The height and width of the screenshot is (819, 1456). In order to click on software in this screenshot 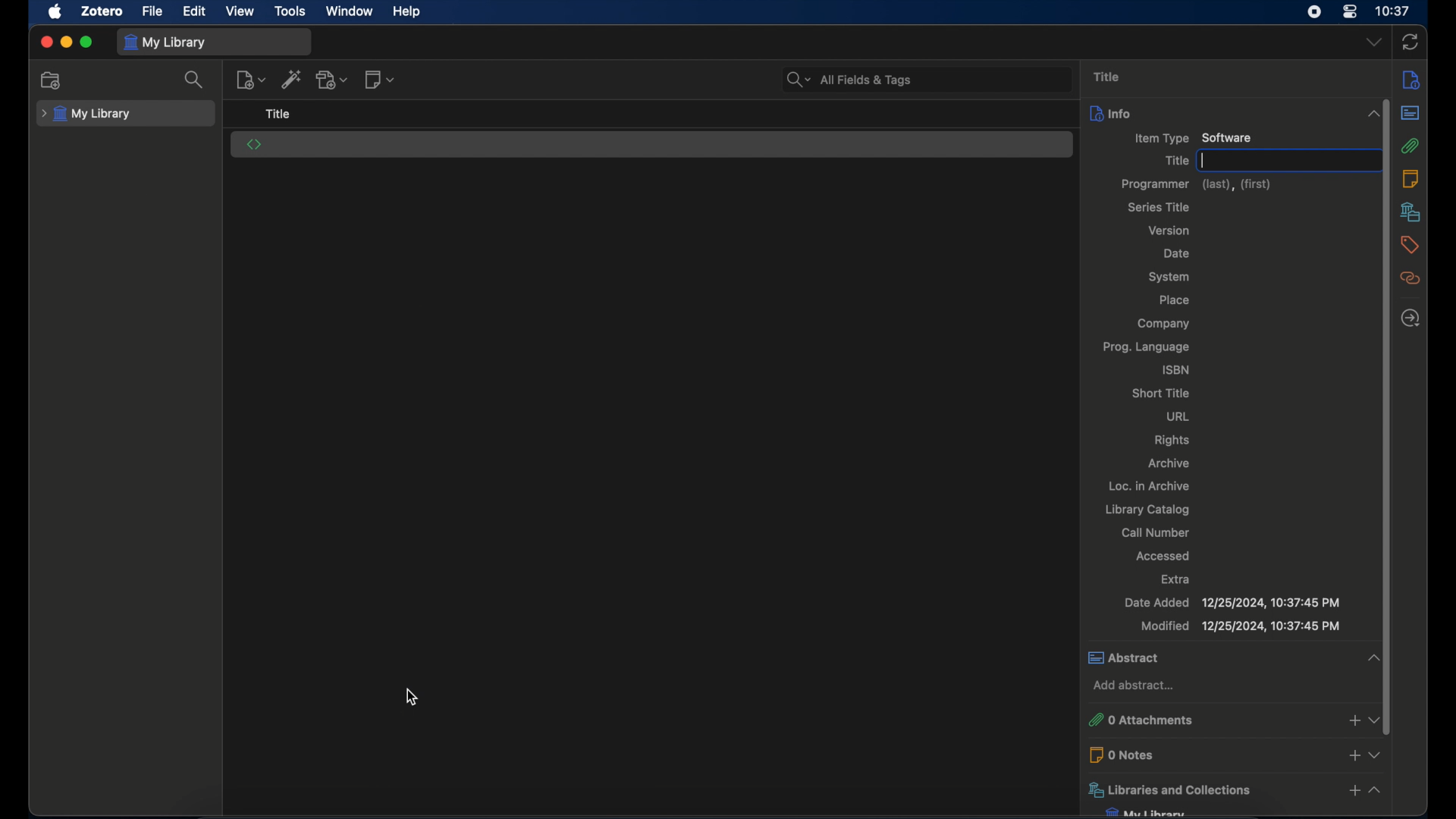, I will do `click(254, 144)`.